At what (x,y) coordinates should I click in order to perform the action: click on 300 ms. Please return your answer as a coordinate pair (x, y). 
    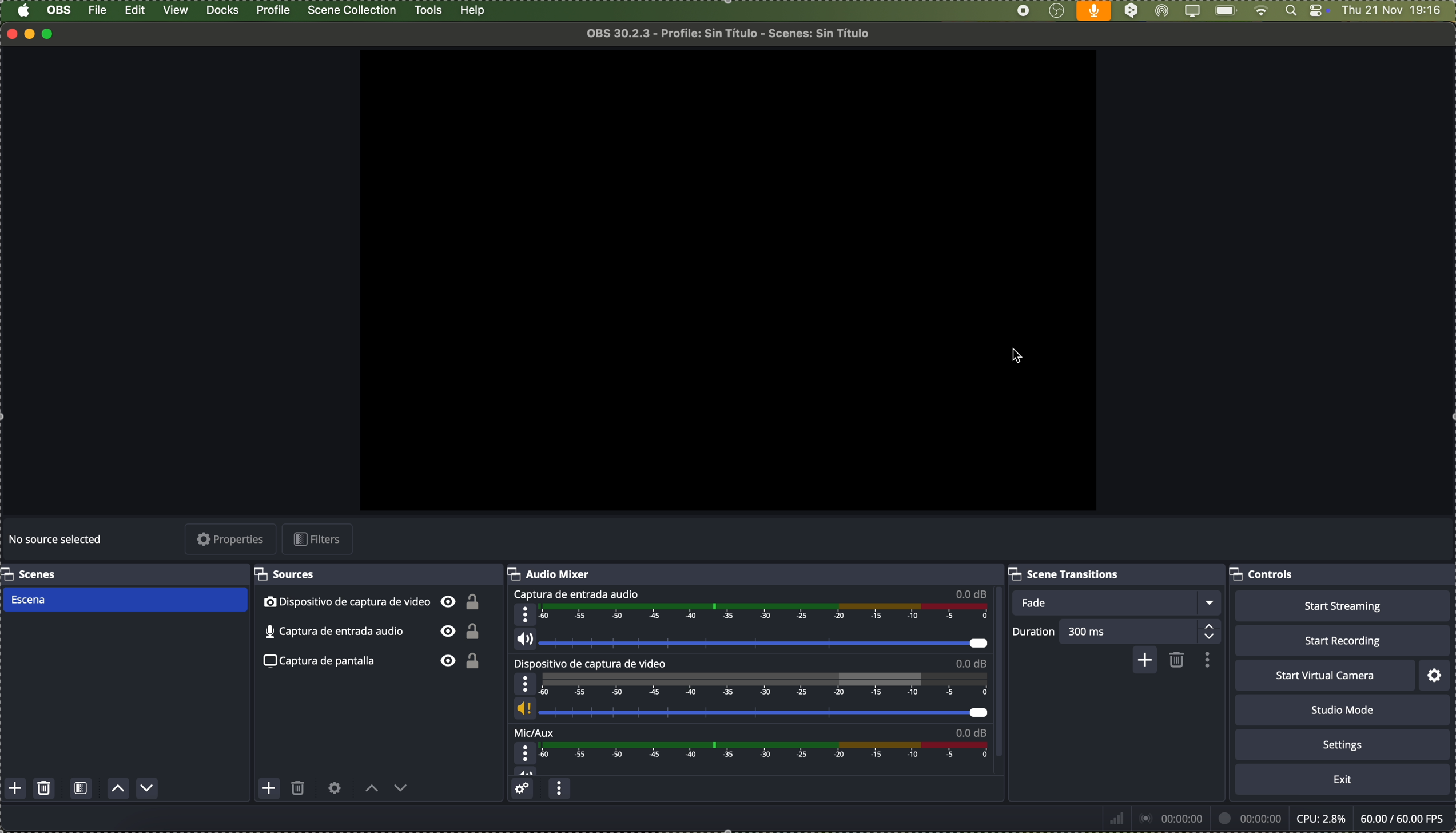
    Looking at the image, I should click on (1144, 630).